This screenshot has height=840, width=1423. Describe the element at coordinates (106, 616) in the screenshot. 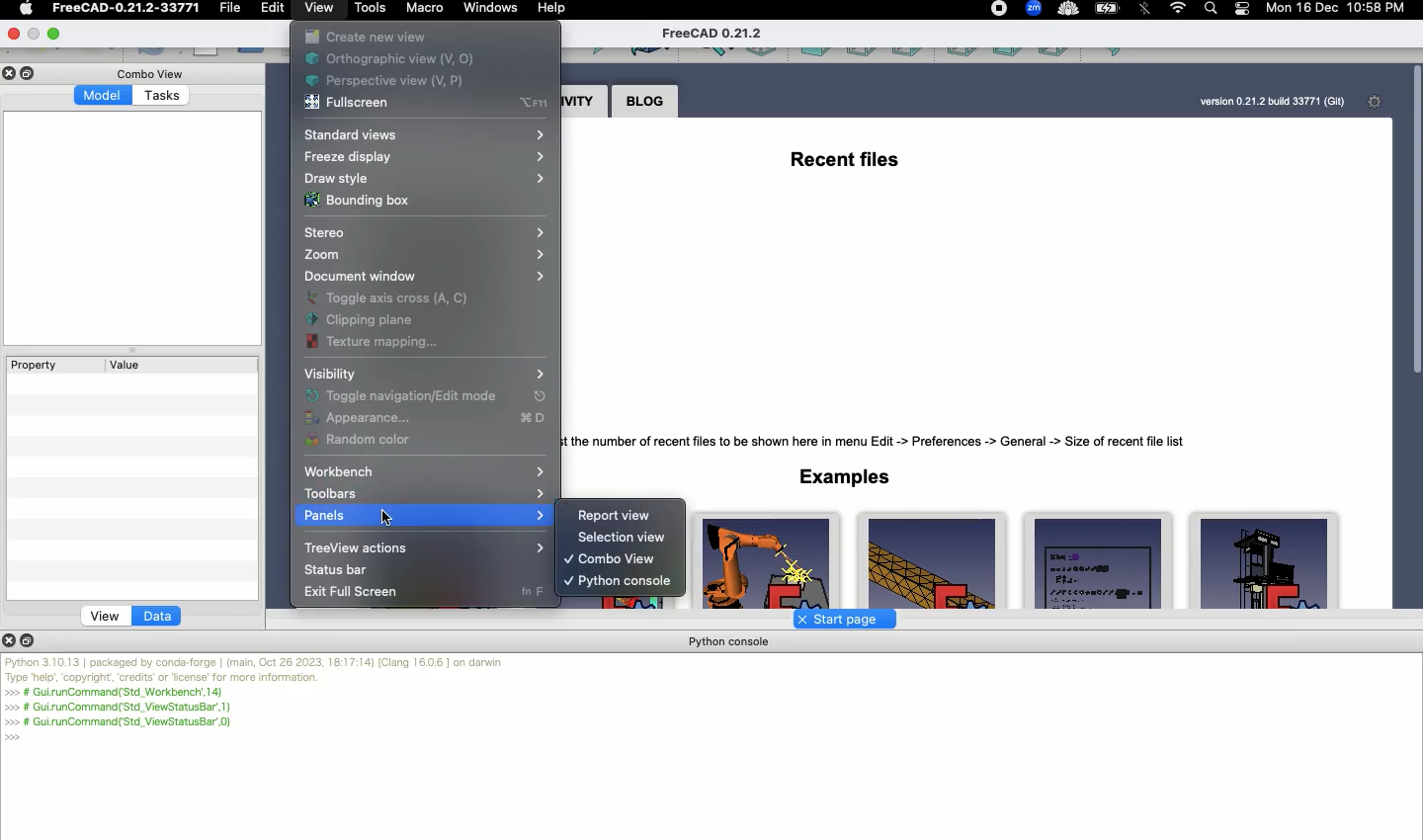

I see `View` at that location.